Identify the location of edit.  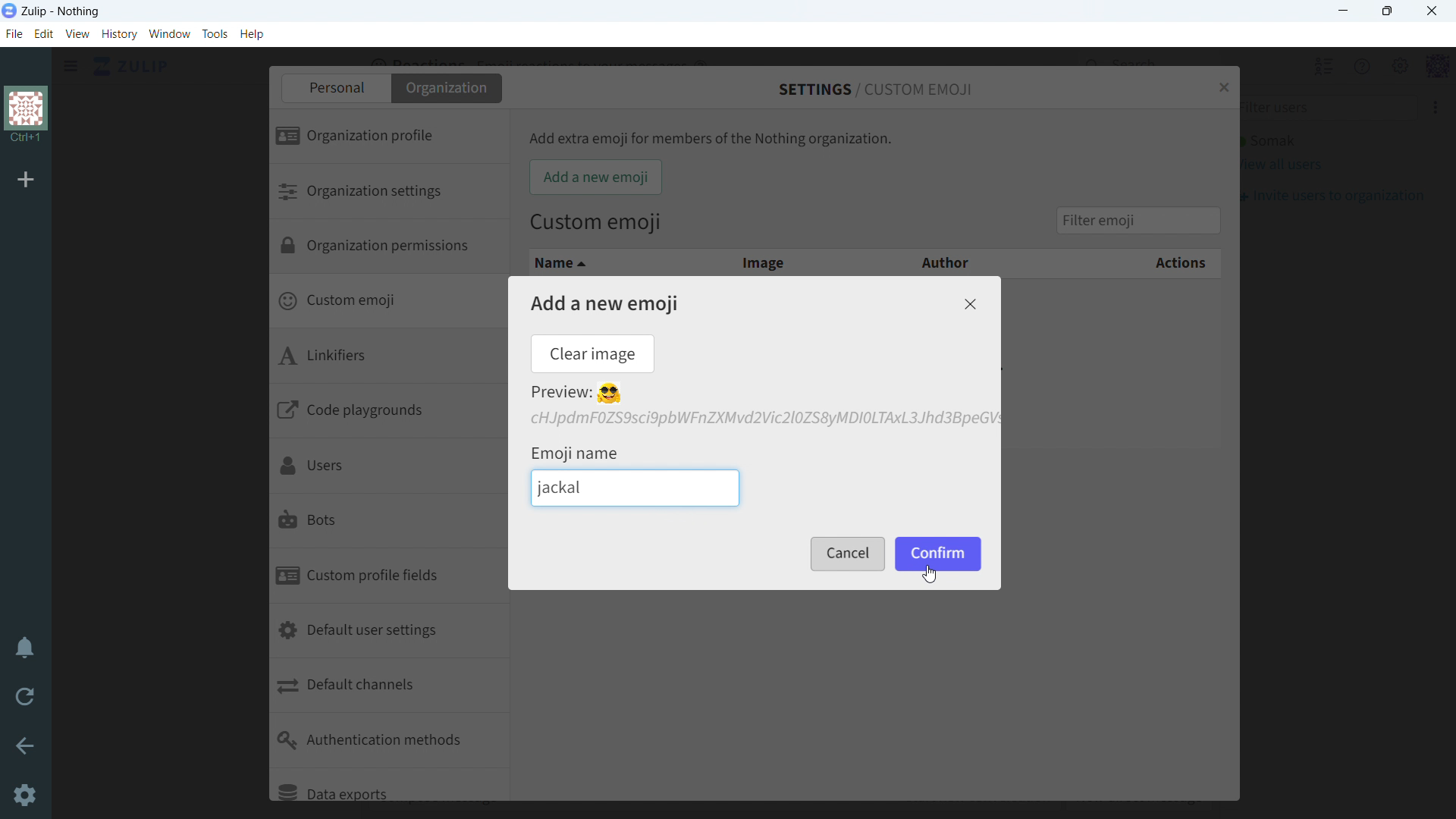
(44, 35).